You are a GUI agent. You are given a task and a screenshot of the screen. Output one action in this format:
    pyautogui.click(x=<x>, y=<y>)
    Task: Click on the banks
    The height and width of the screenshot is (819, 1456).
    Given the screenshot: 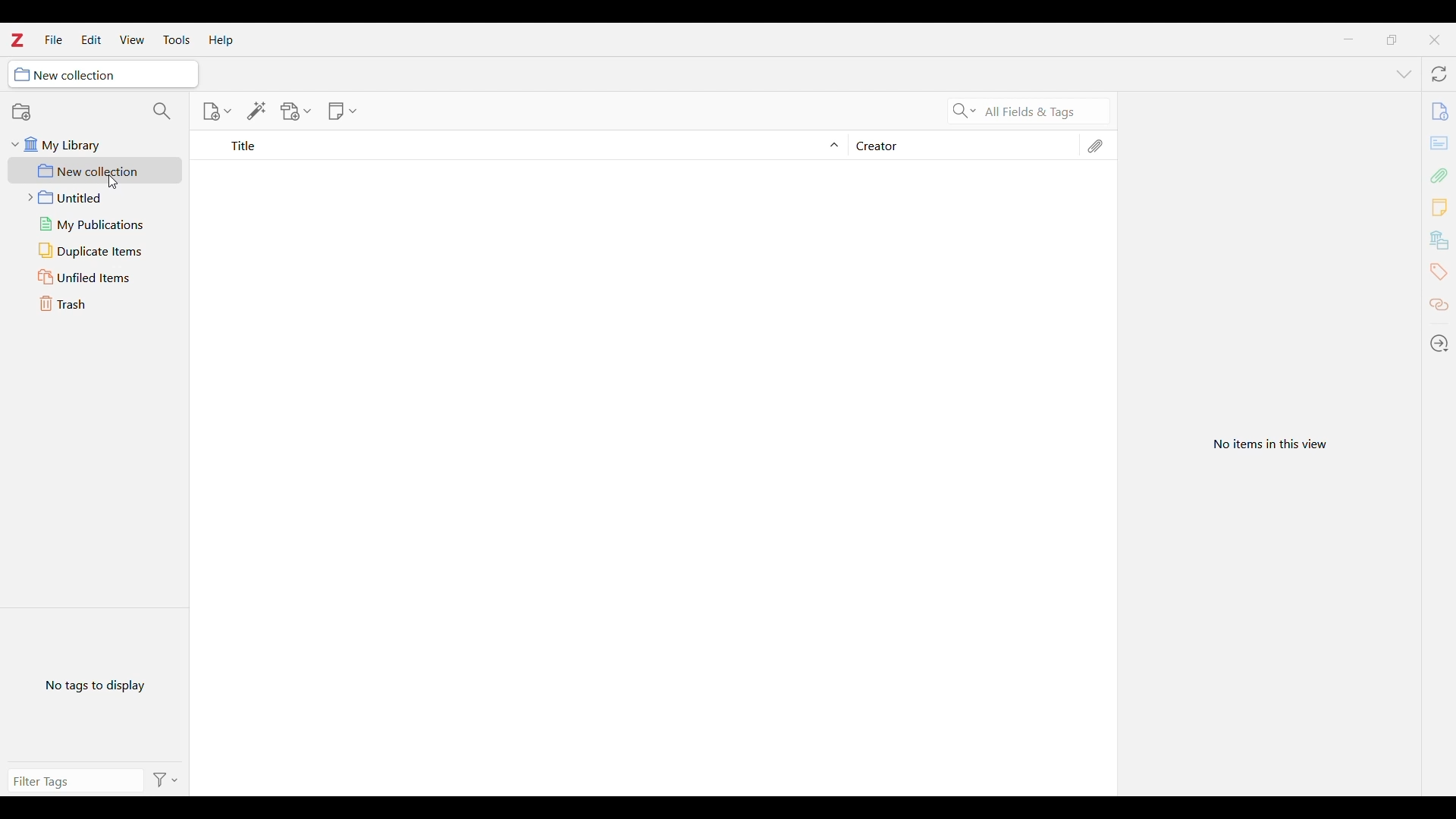 What is the action you would take?
    pyautogui.click(x=1441, y=240)
    